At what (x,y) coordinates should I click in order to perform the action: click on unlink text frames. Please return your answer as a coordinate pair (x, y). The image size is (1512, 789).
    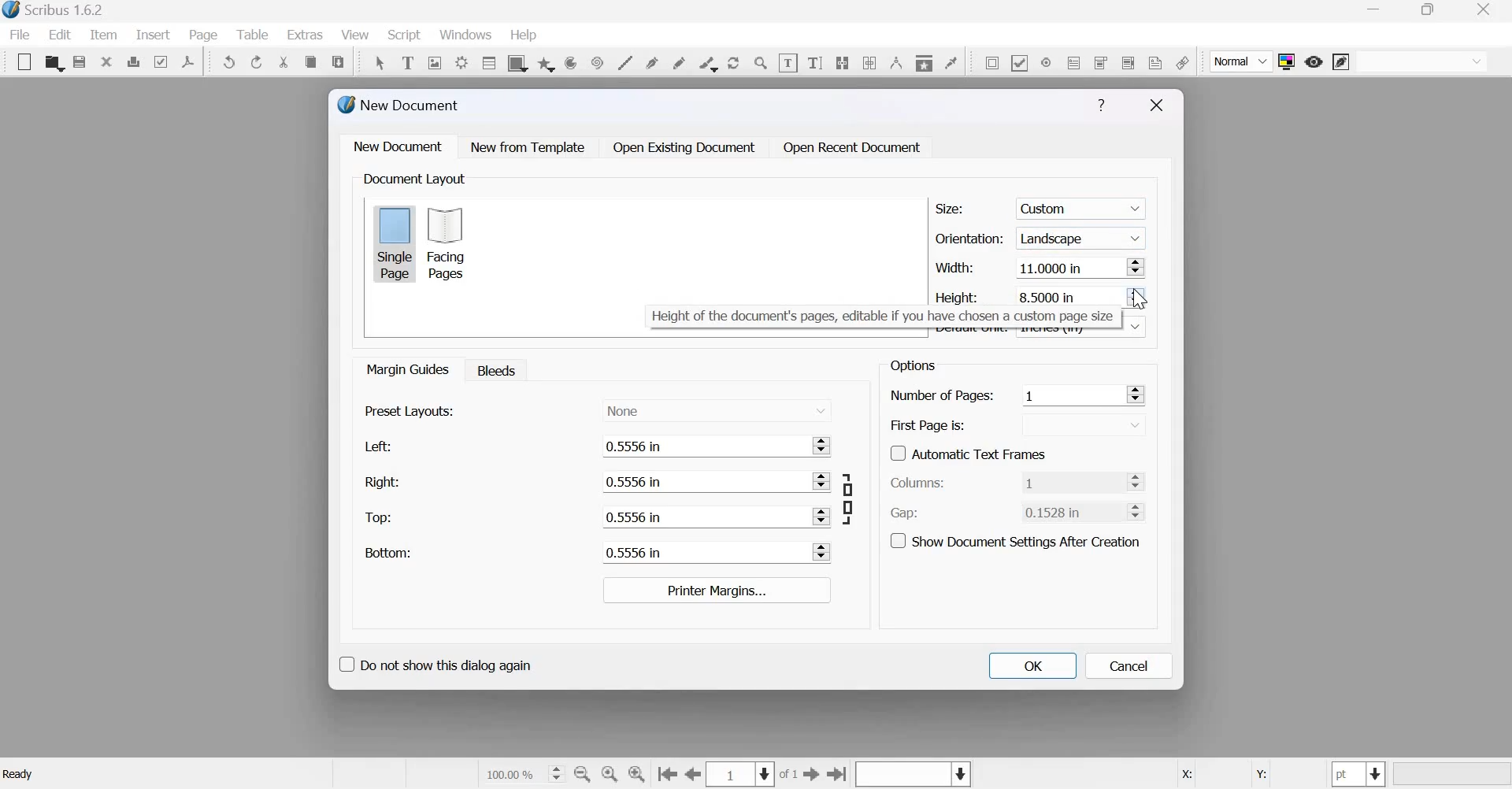
    Looking at the image, I should click on (869, 61).